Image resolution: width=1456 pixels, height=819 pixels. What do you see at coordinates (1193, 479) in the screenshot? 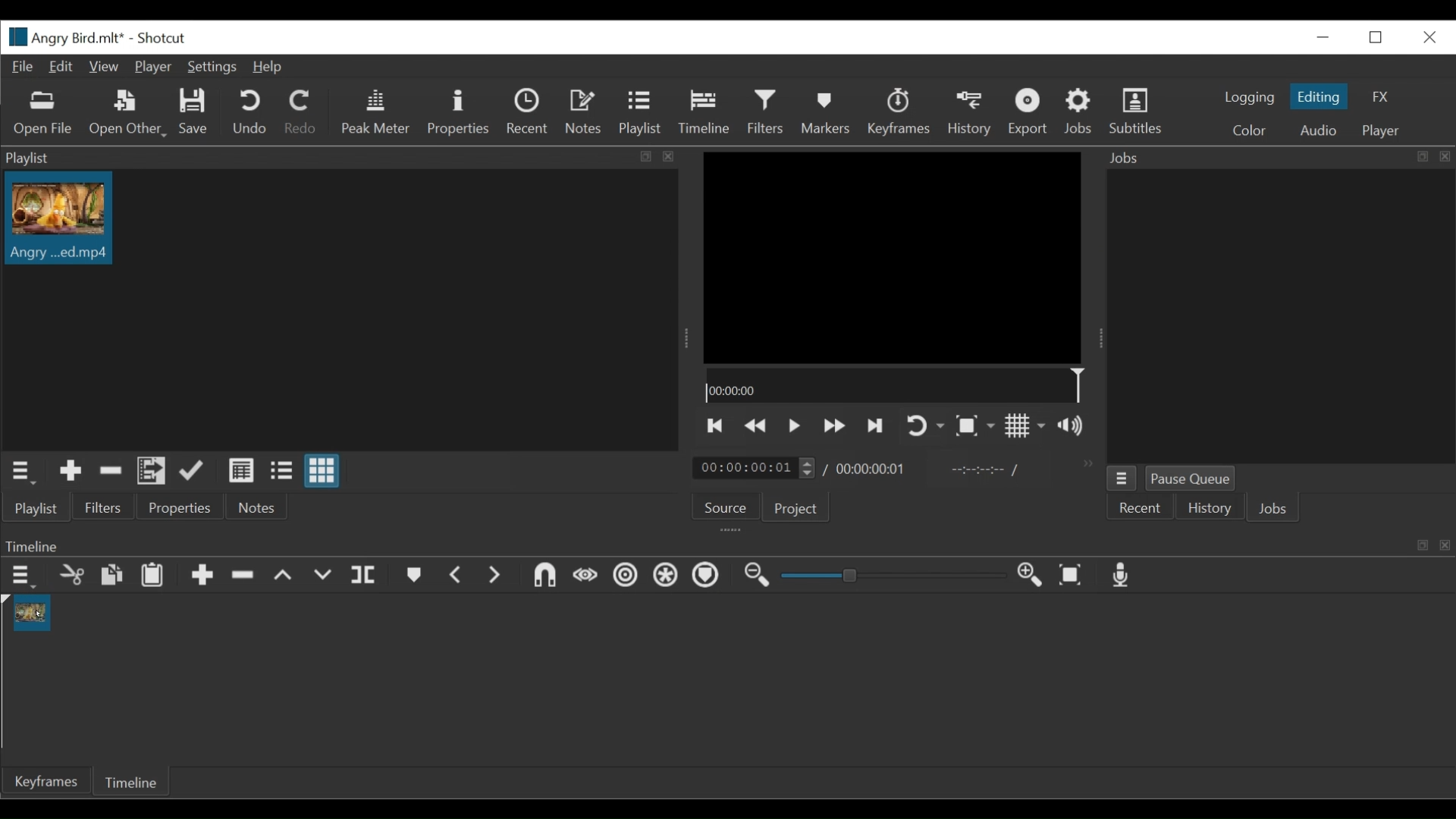
I see `Pause Queue` at bounding box center [1193, 479].